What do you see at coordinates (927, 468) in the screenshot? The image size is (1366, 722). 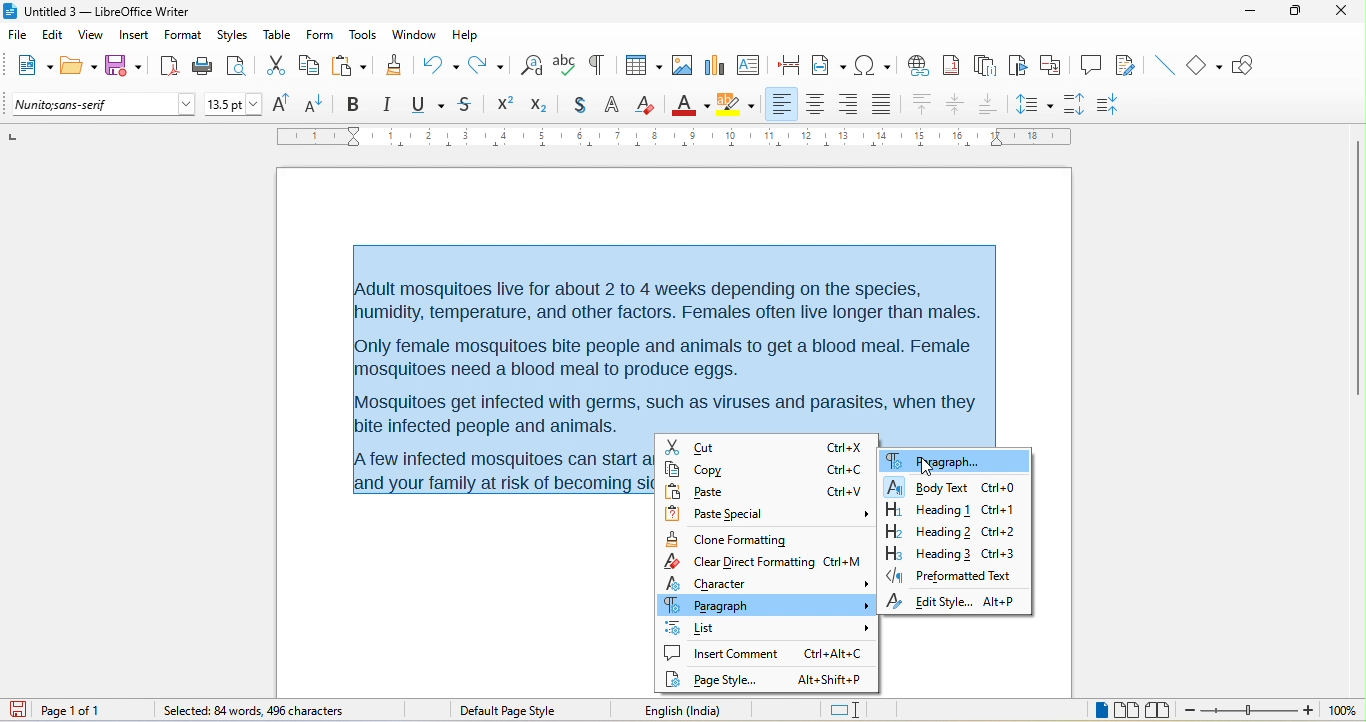 I see `cursor movement` at bounding box center [927, 468].